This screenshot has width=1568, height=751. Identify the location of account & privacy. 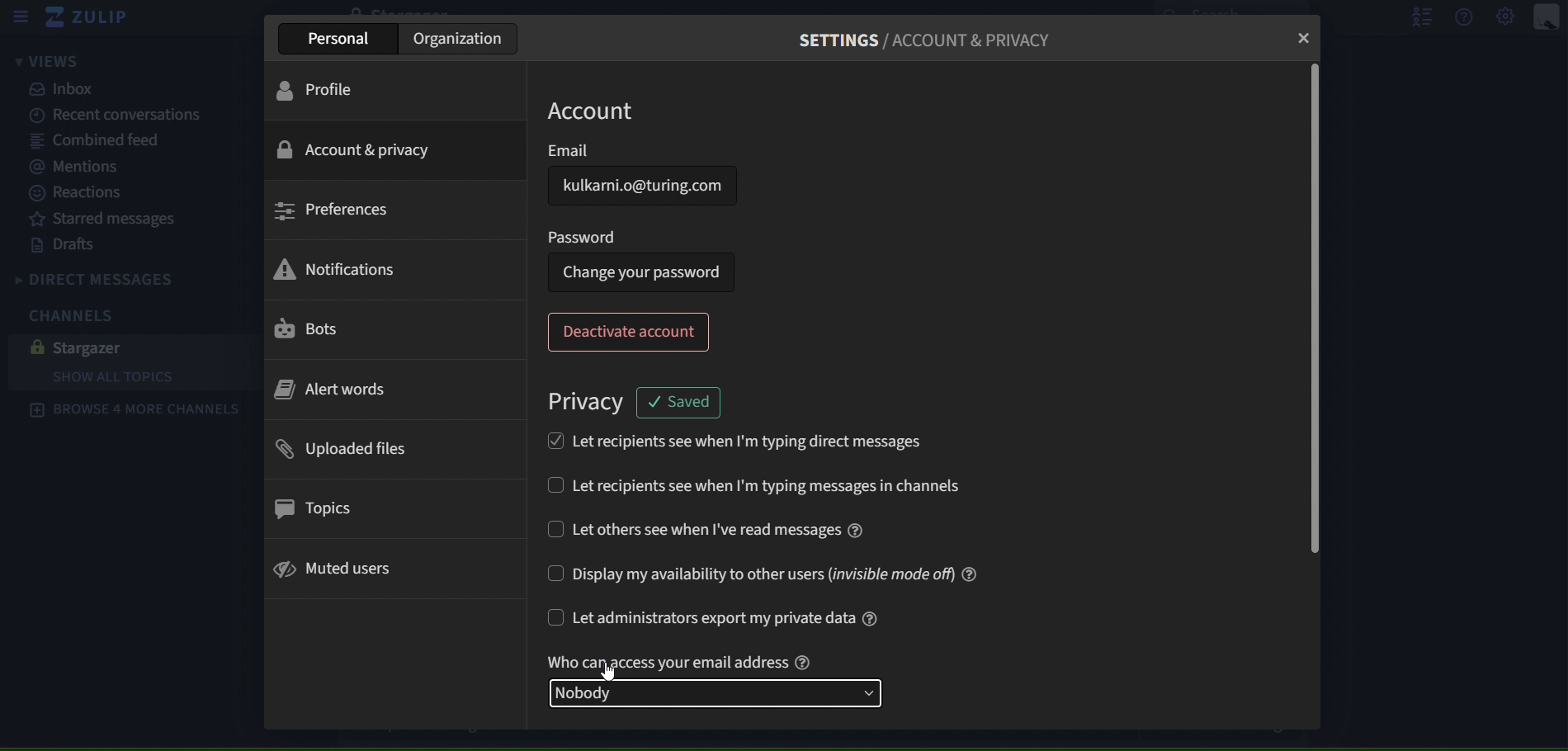
(356, 151).